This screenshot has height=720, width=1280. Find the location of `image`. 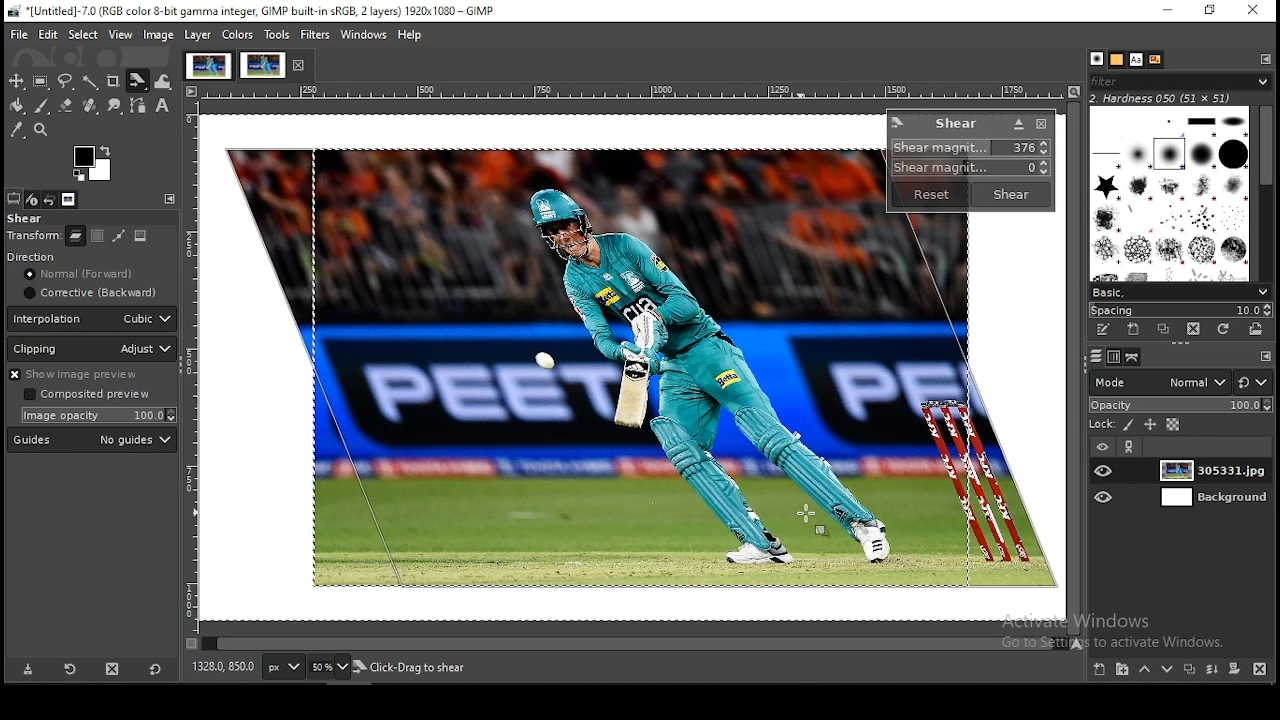

image is located at coordinates (140, 235).